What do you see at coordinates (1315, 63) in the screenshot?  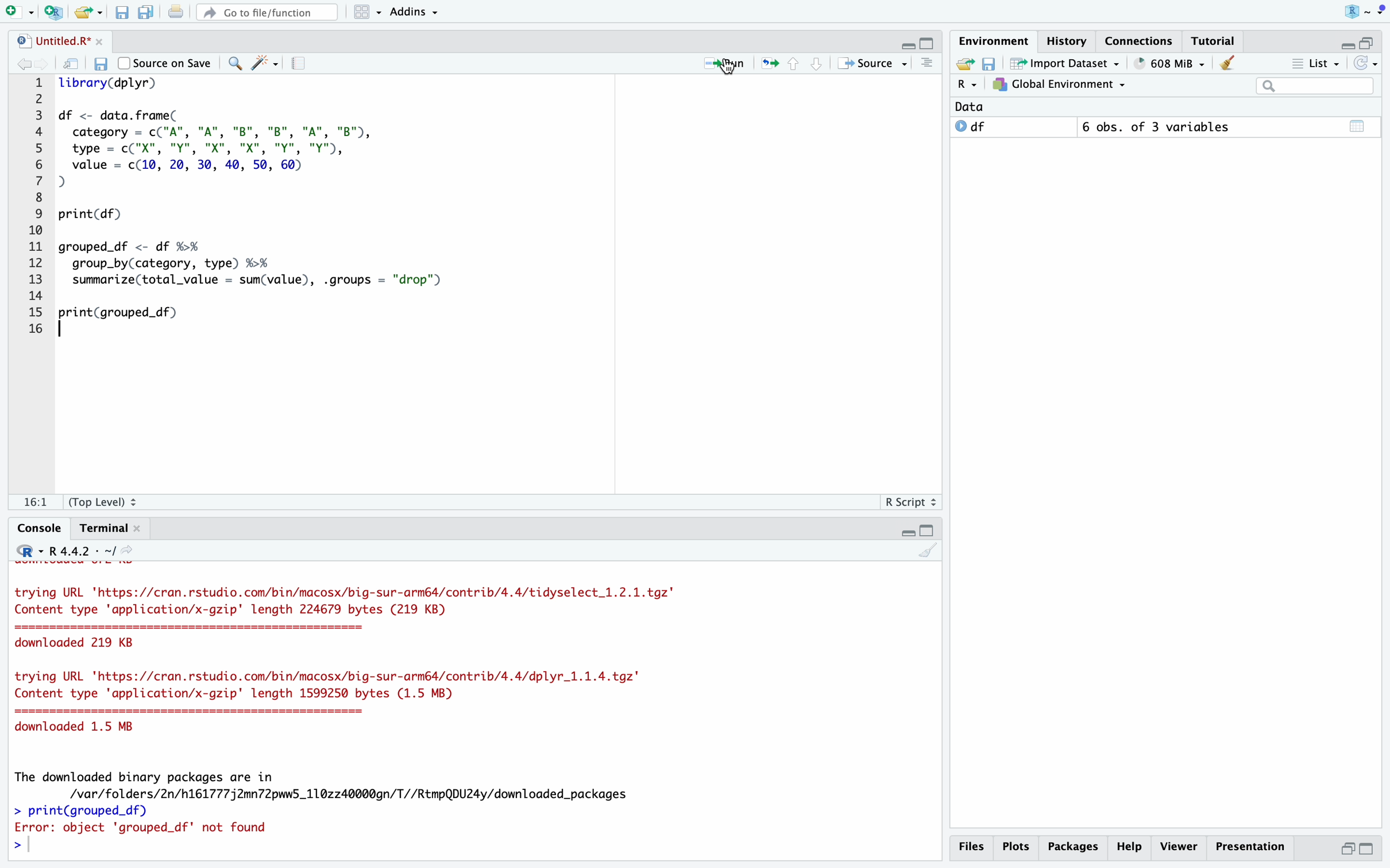 I see `List` at bounding box center [1315, 63].